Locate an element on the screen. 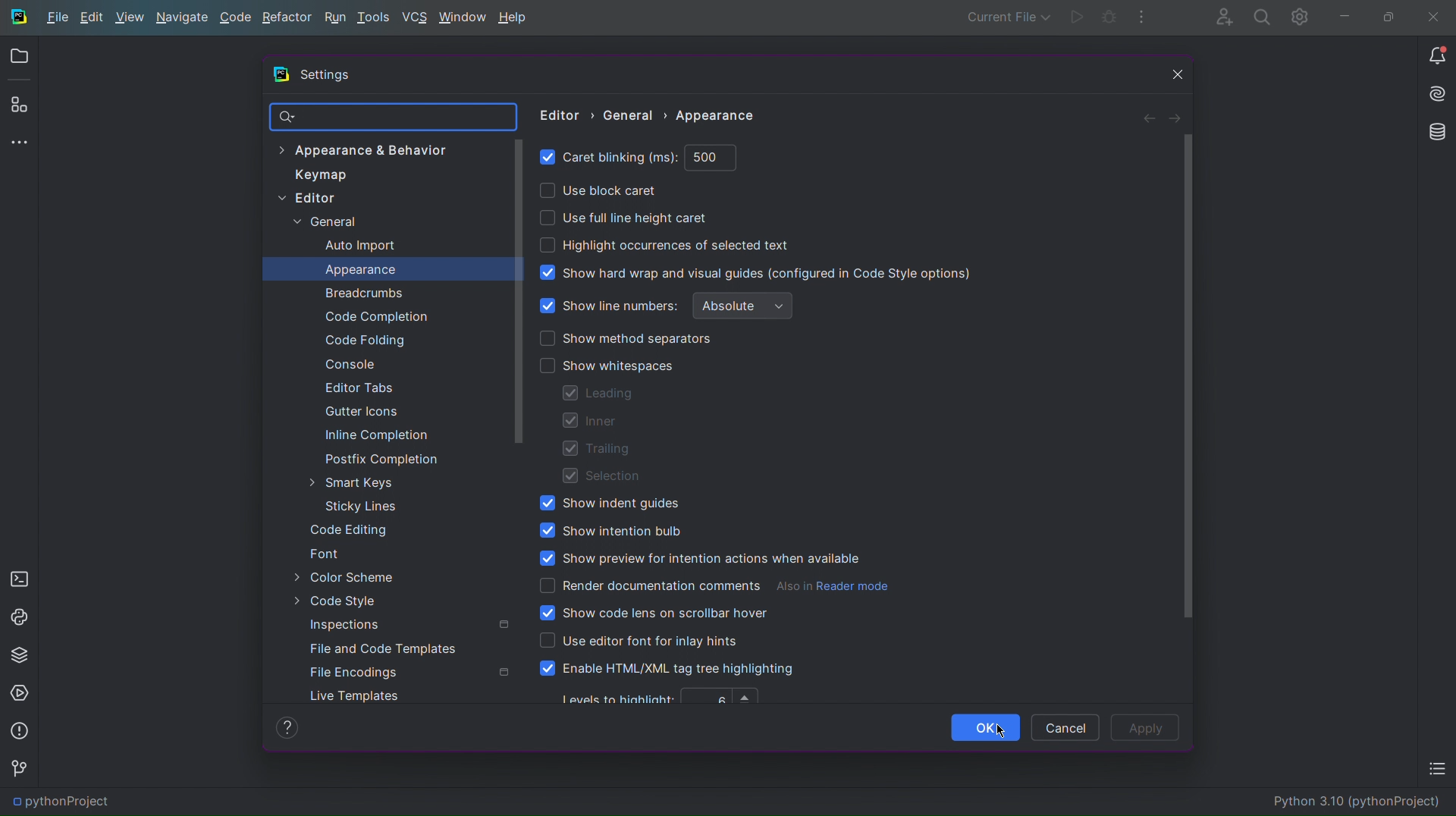 This screenshot has width=1456, height=816. Keymap is located at coordinates (318, 175).